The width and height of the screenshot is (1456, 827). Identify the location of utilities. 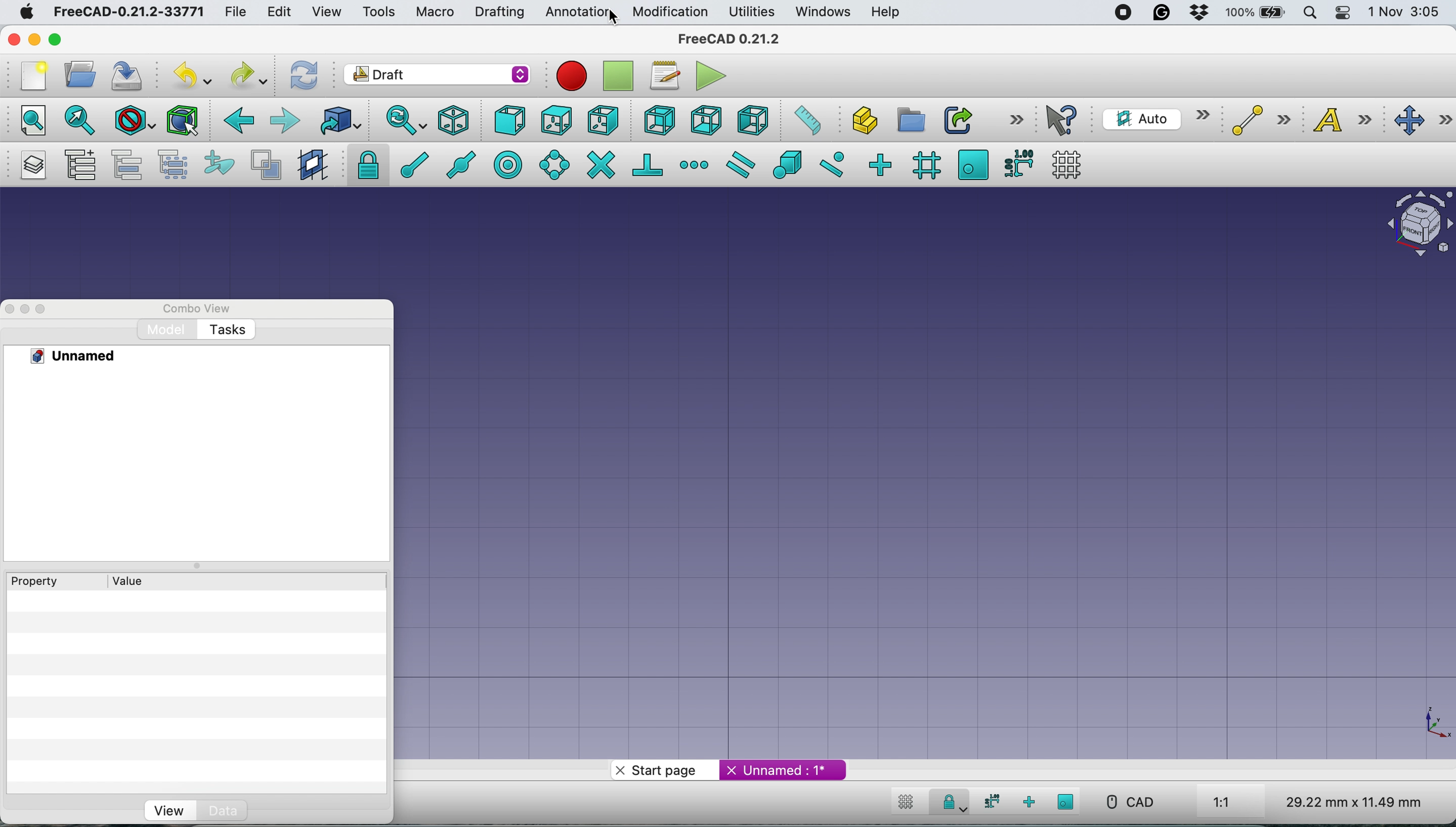
(751, 13).